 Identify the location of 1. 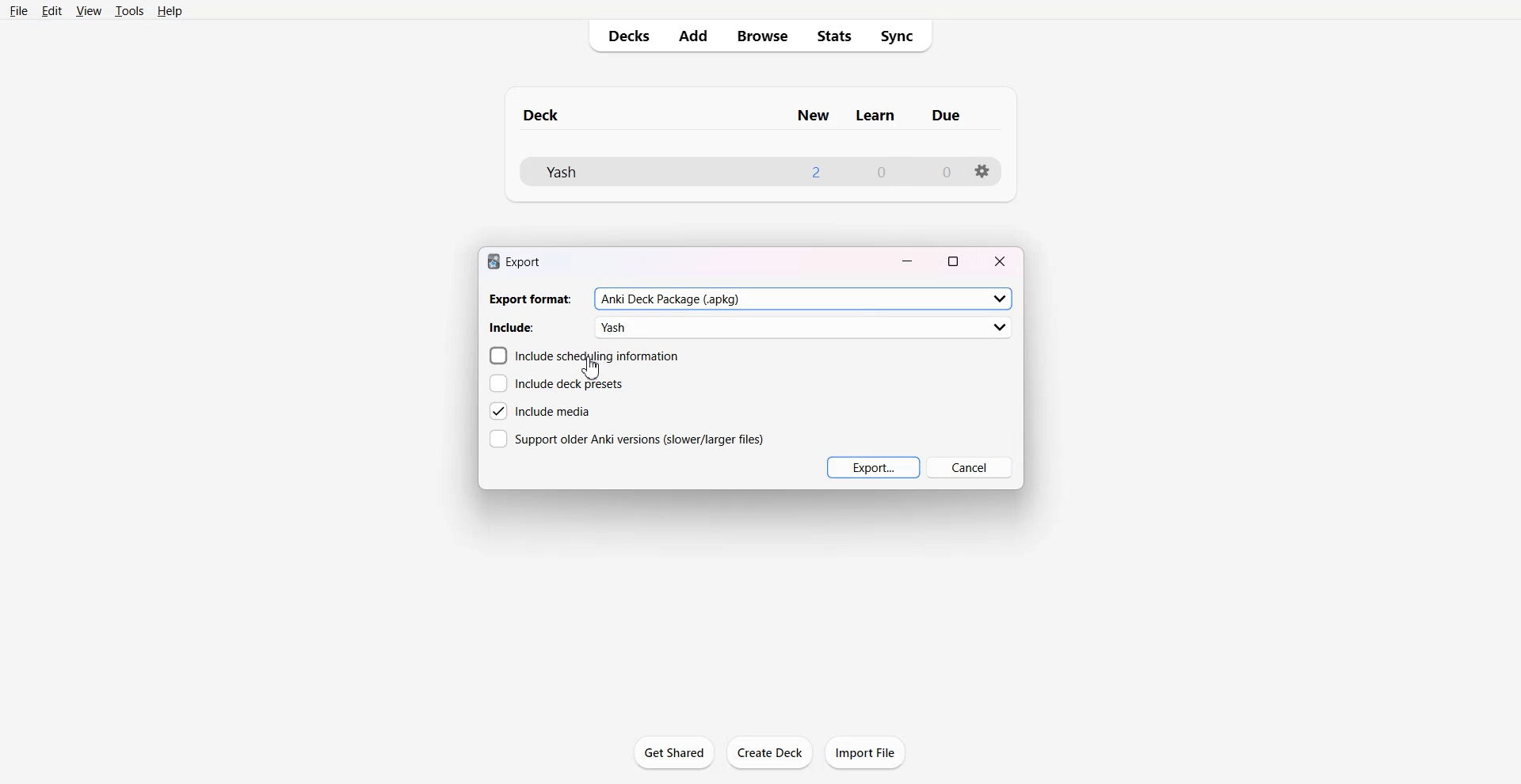
(814, 171).